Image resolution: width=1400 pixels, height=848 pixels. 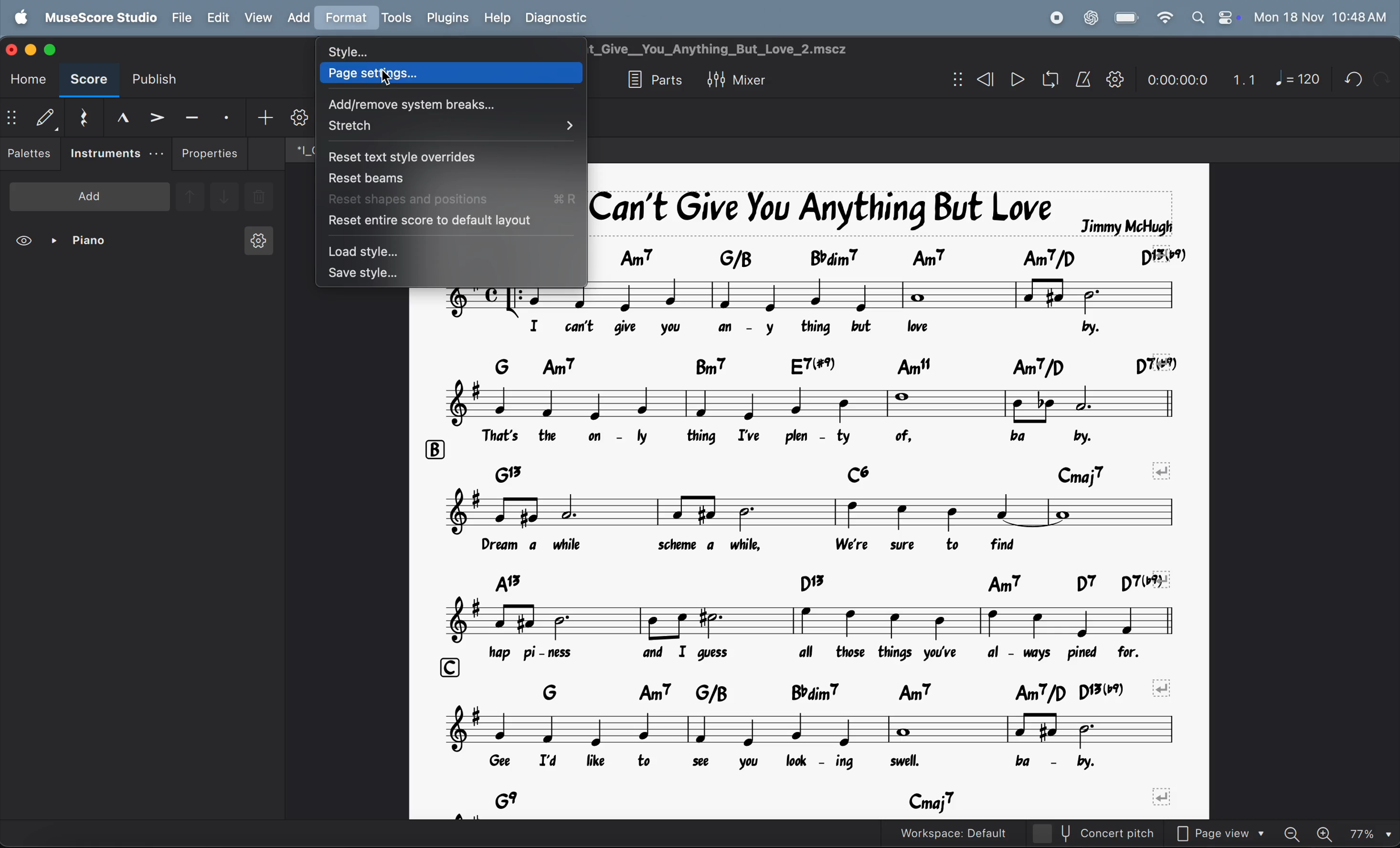 I want to click on view, so click(x=257, y=17).